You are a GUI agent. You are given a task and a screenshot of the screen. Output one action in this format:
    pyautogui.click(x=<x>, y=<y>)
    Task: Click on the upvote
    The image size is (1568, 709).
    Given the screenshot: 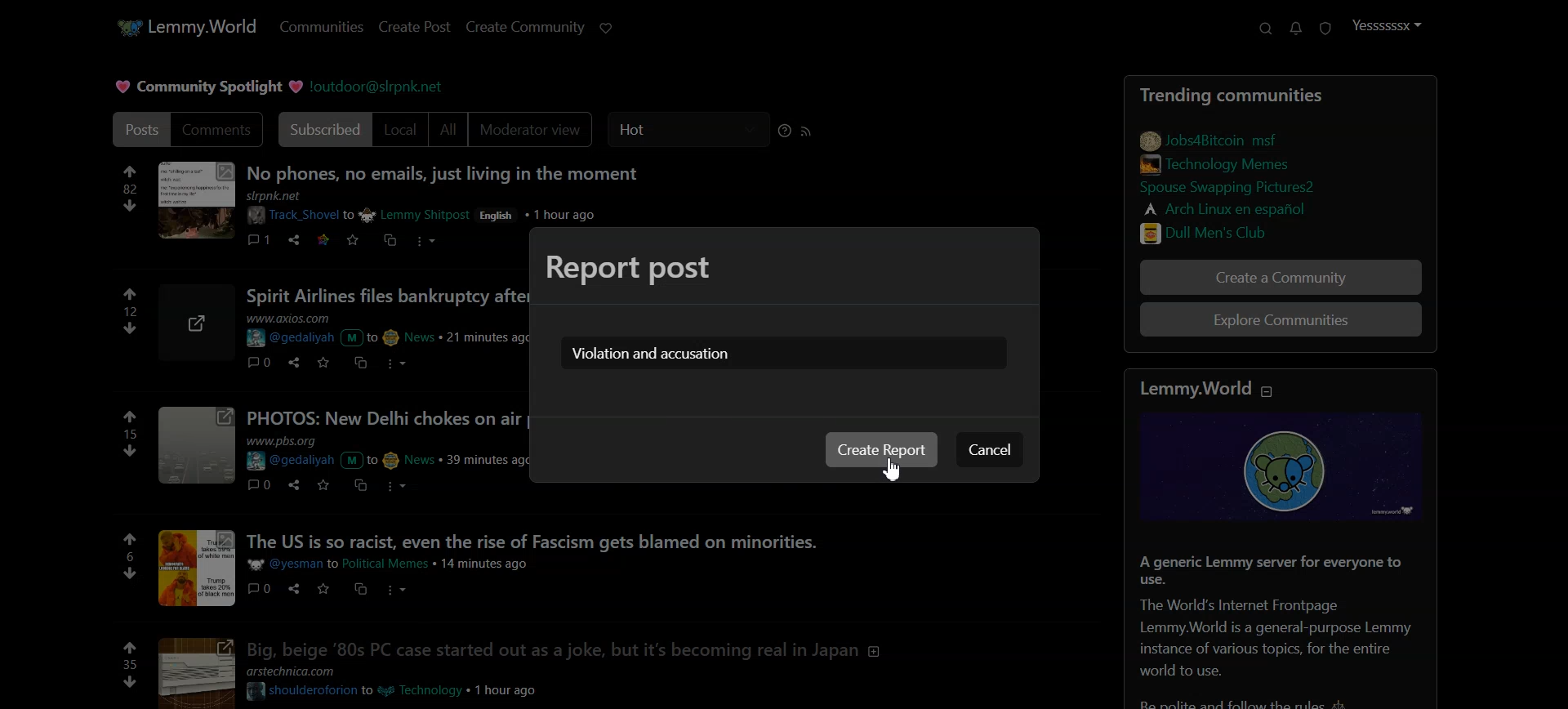 What is the action you would take?
    pyautogui.click(x=131, y=646)
    